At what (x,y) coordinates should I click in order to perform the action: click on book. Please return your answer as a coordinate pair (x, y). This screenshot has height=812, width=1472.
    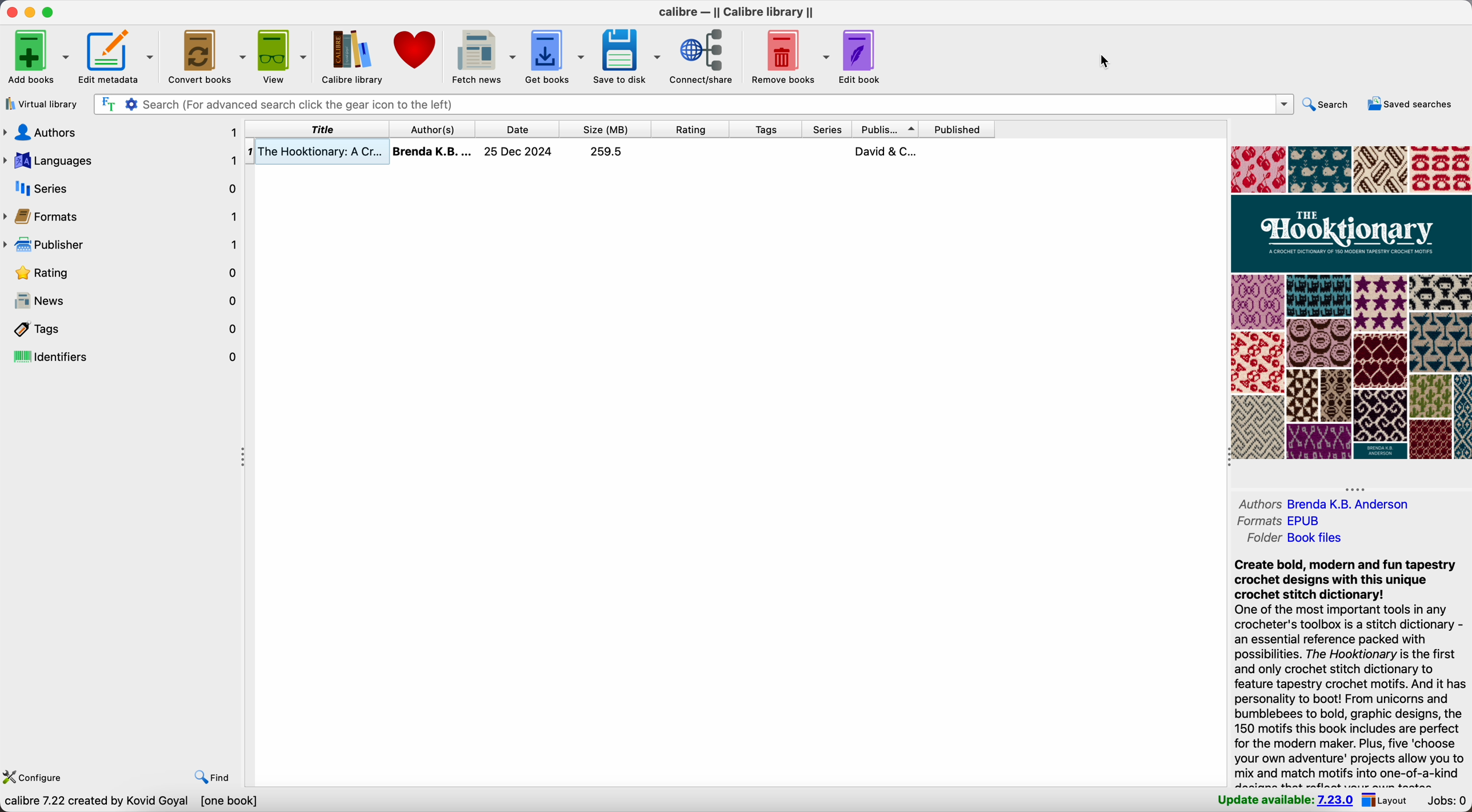
    Looking at the image, I should click on (619, 153).